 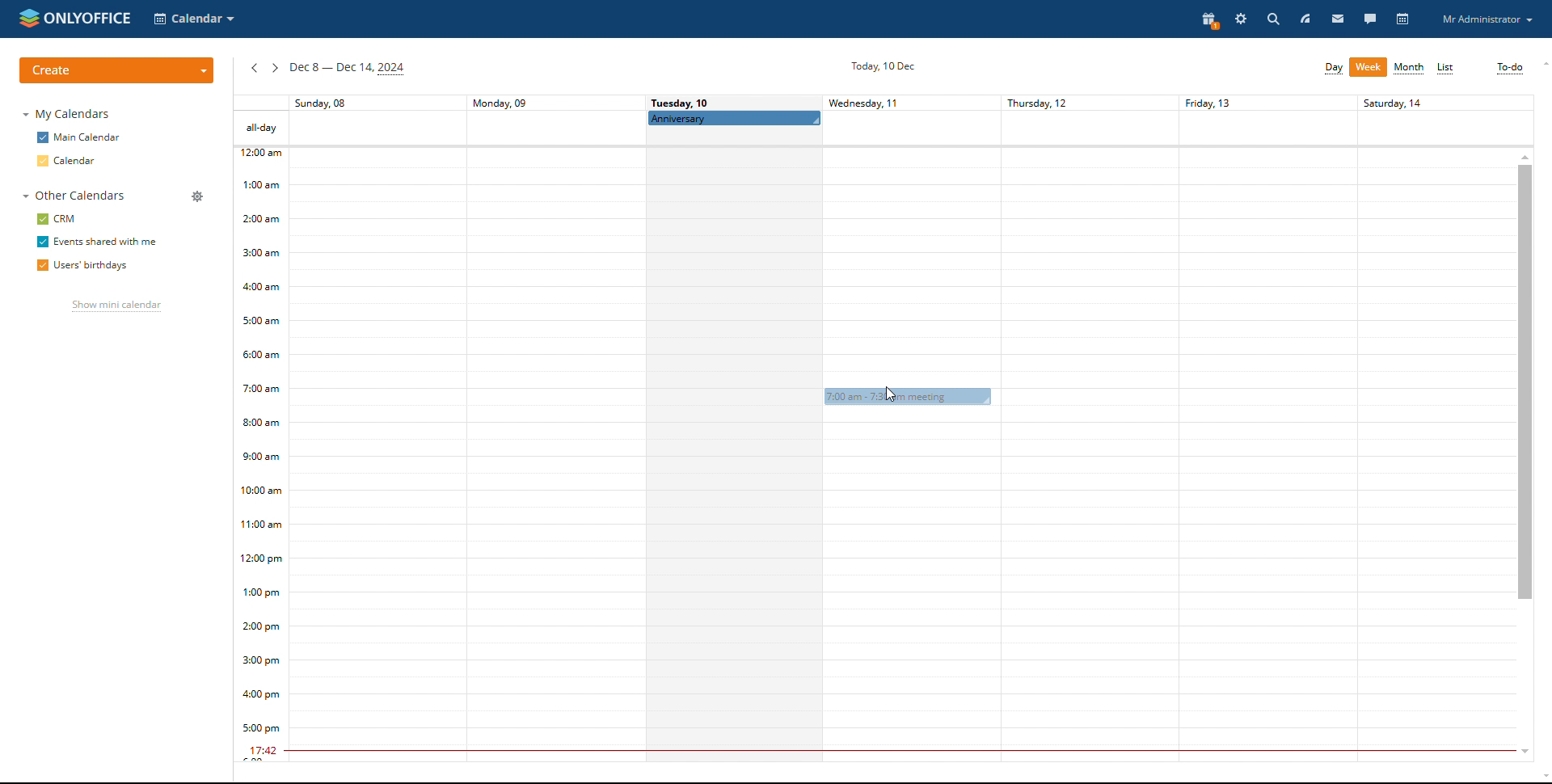 I want to click on crm, so click(x=58, y=219).